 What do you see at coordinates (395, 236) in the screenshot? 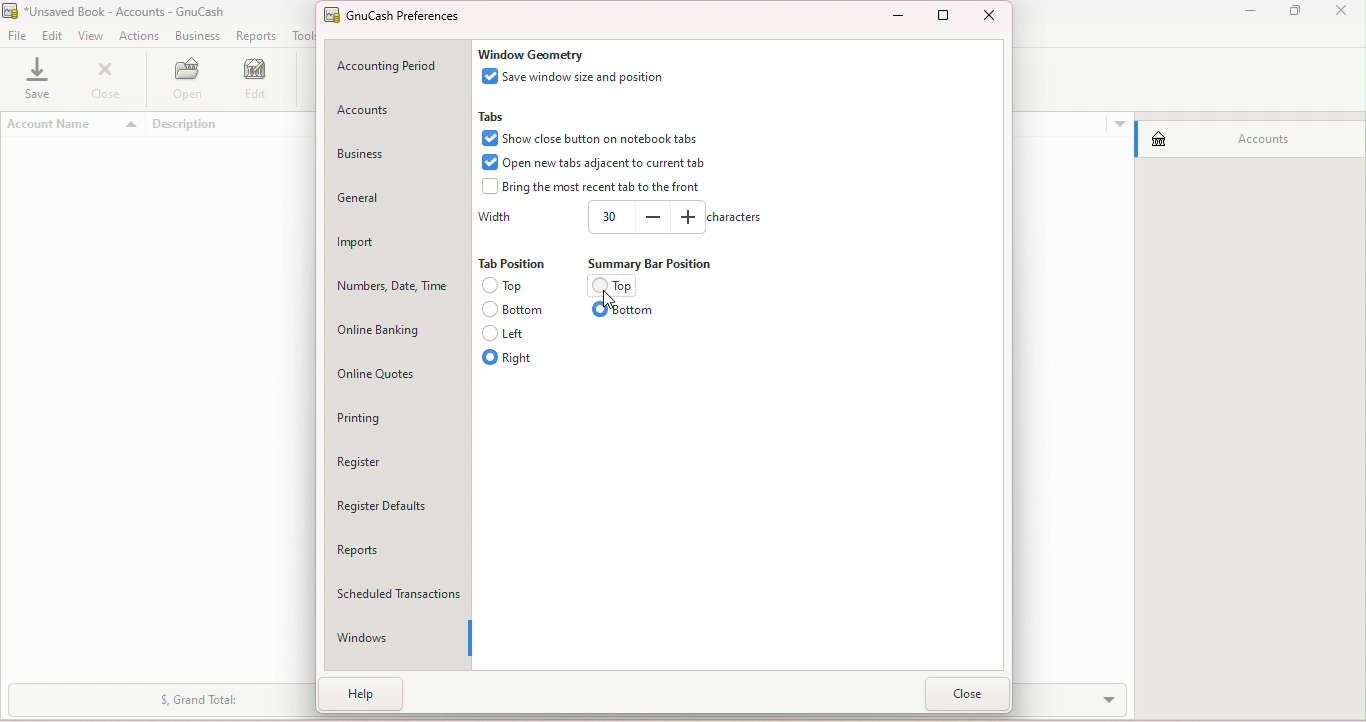
I see `Import` at bounding box center [395, 236].